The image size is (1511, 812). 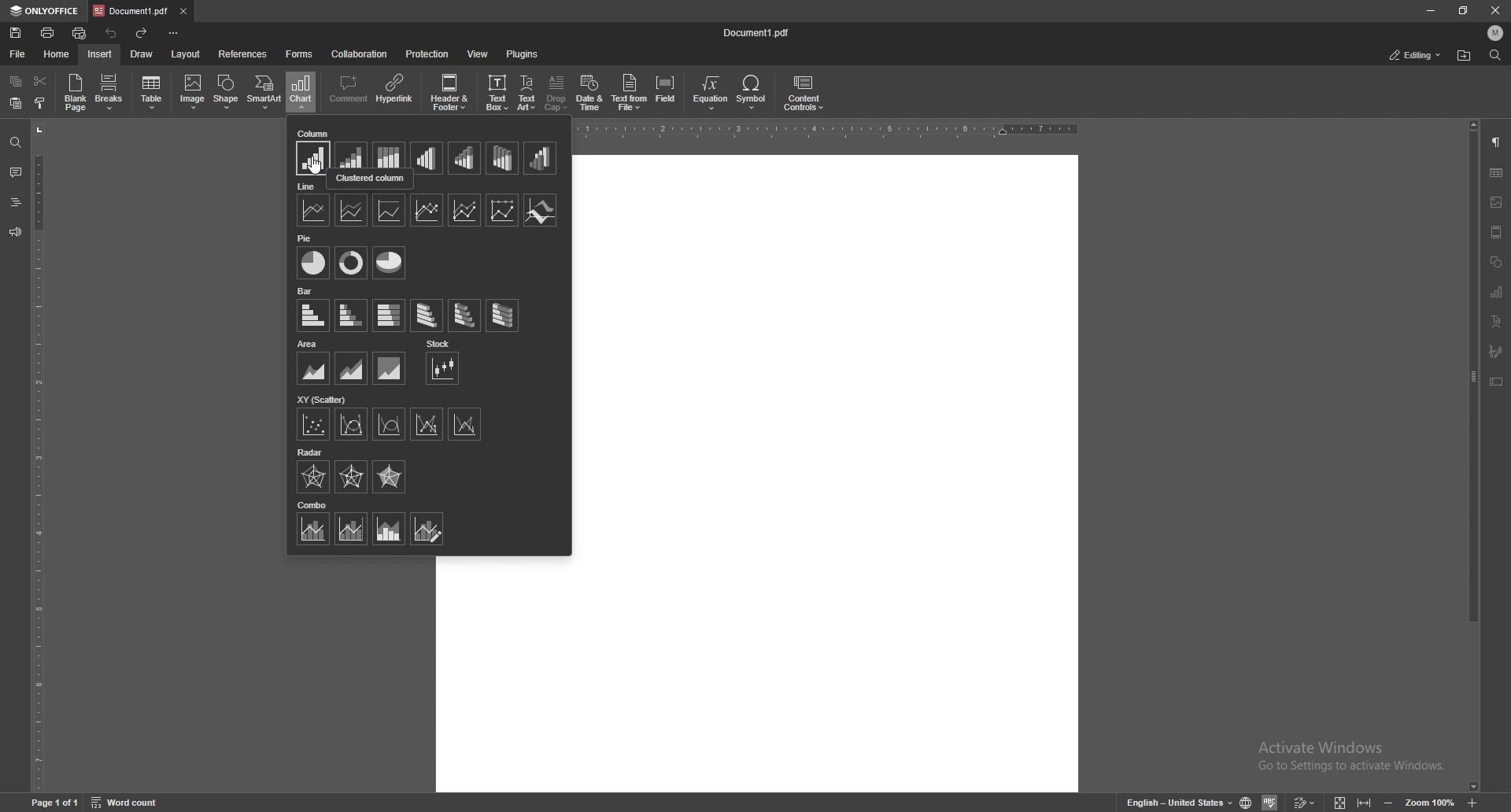 I want to click on 100% stacked area, so click(x=390, y=367).